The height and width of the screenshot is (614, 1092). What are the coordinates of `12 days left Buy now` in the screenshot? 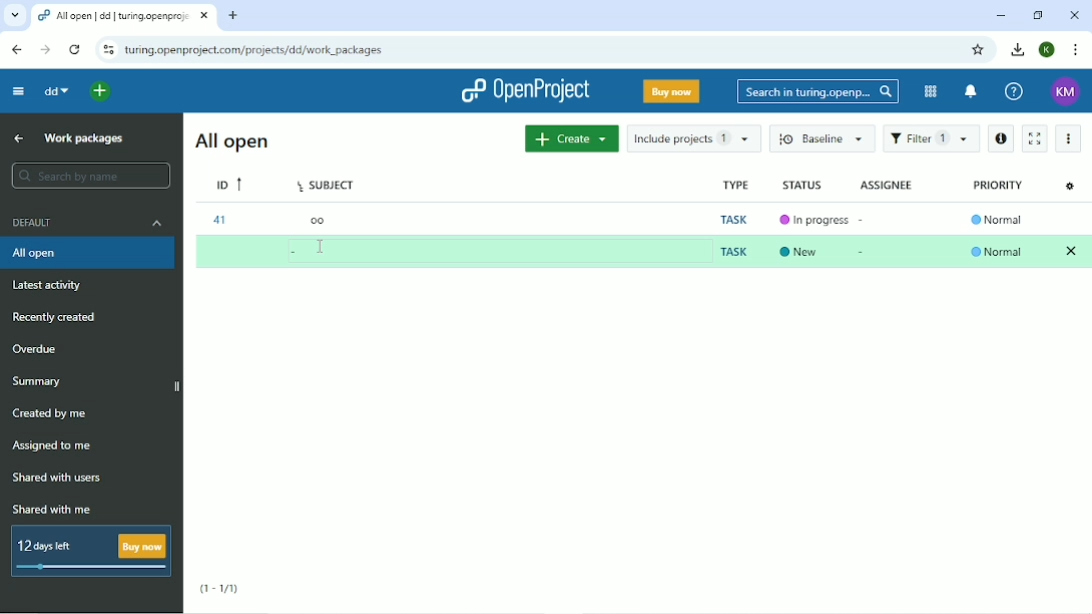 It's located at (92, 551).